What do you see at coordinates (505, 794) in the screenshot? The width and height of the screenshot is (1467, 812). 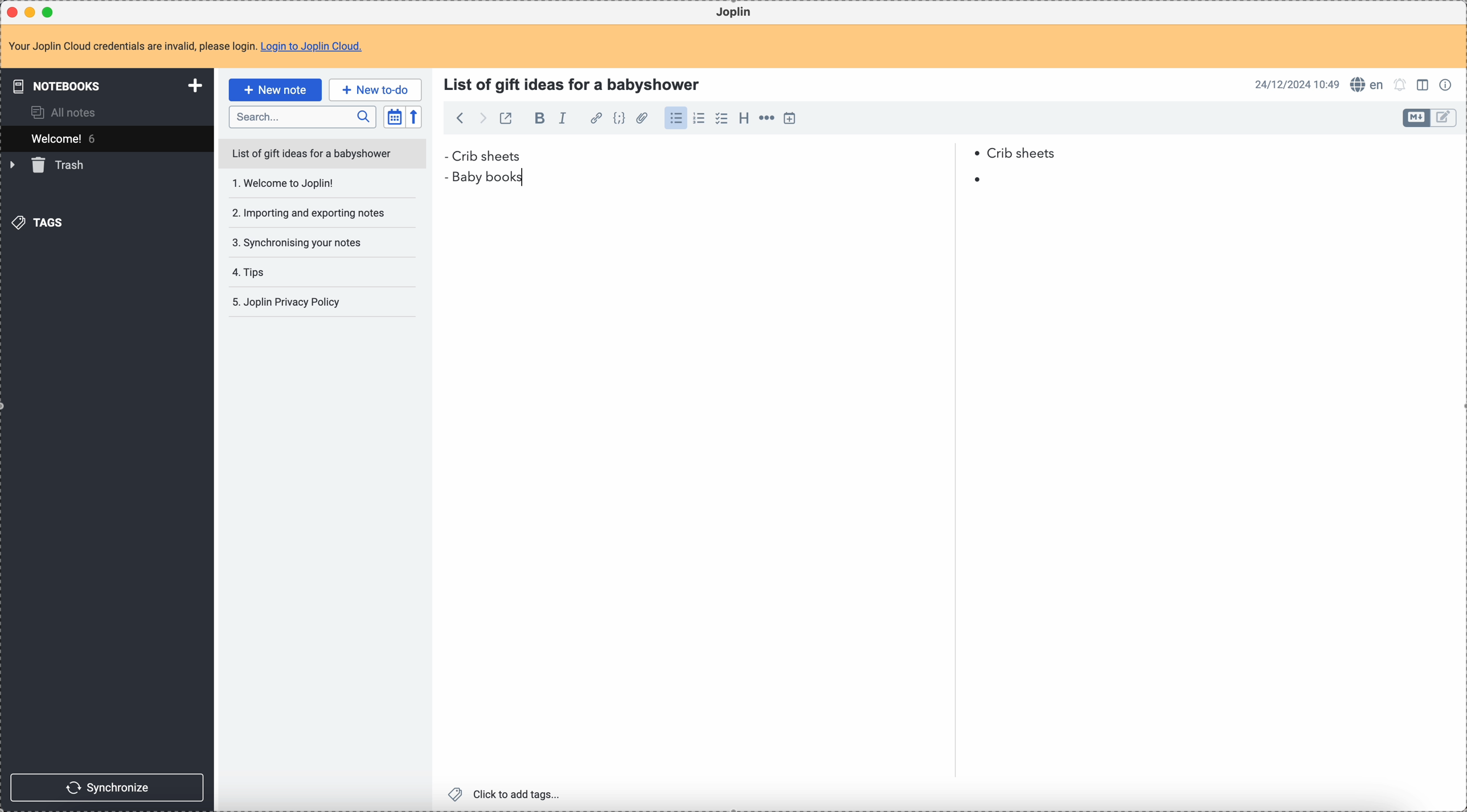 I see `click to add tags` at bounding box center [505, 794].